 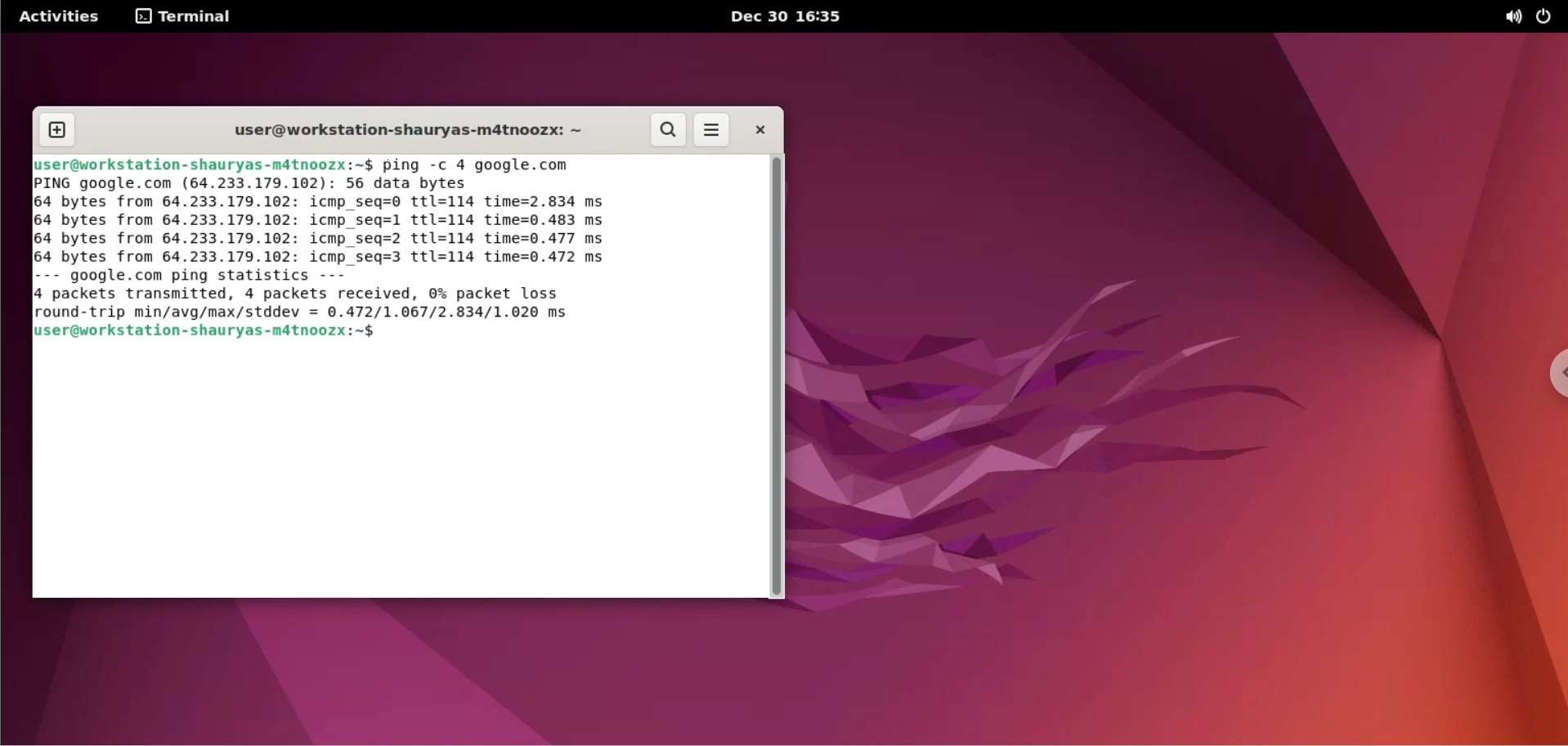 What do you see at coordinates (781, 377) in the screenshot?
I see `scrollbar` at bounding box center [781, 377].